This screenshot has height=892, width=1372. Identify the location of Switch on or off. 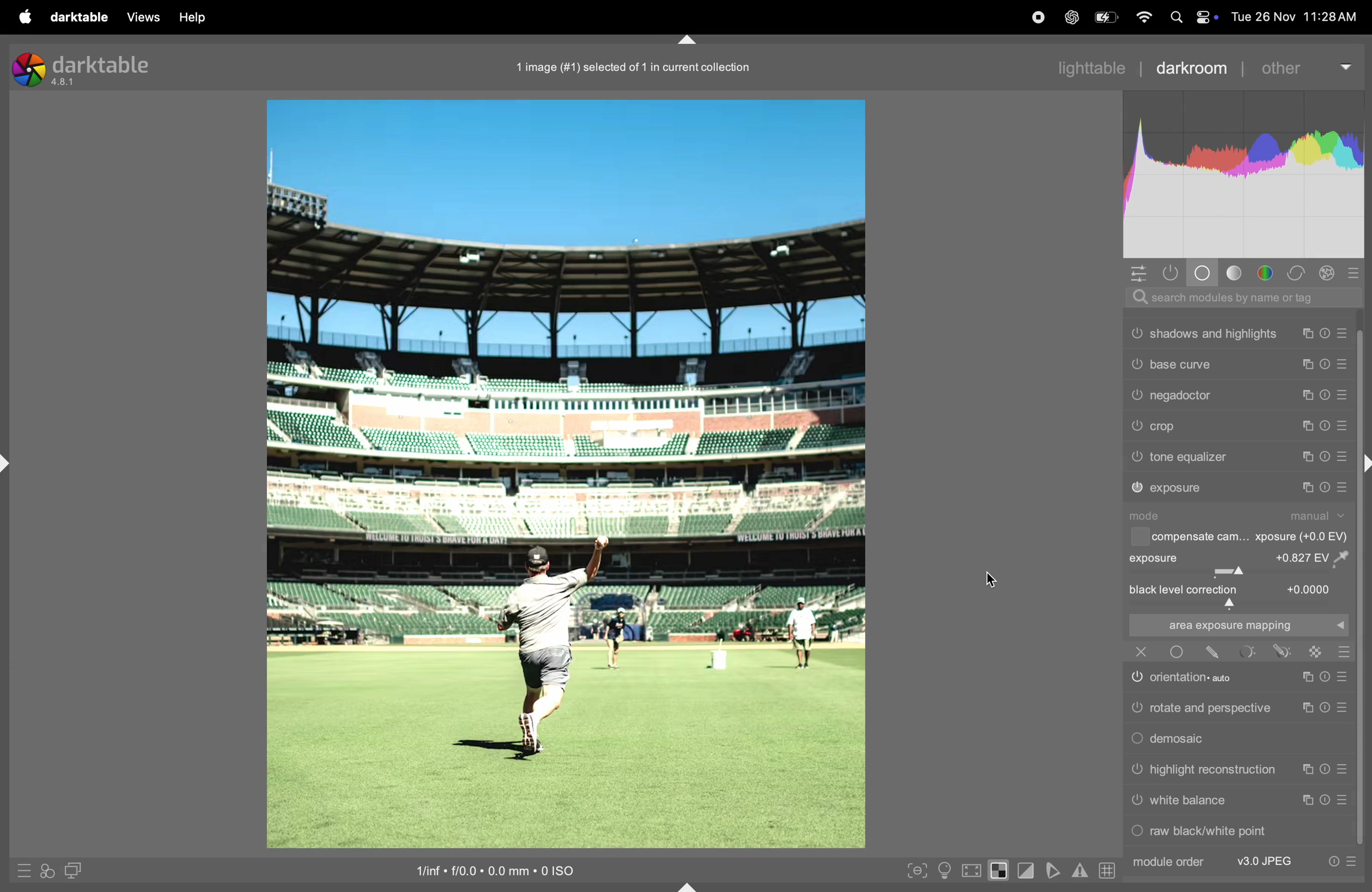
(1136, 363).